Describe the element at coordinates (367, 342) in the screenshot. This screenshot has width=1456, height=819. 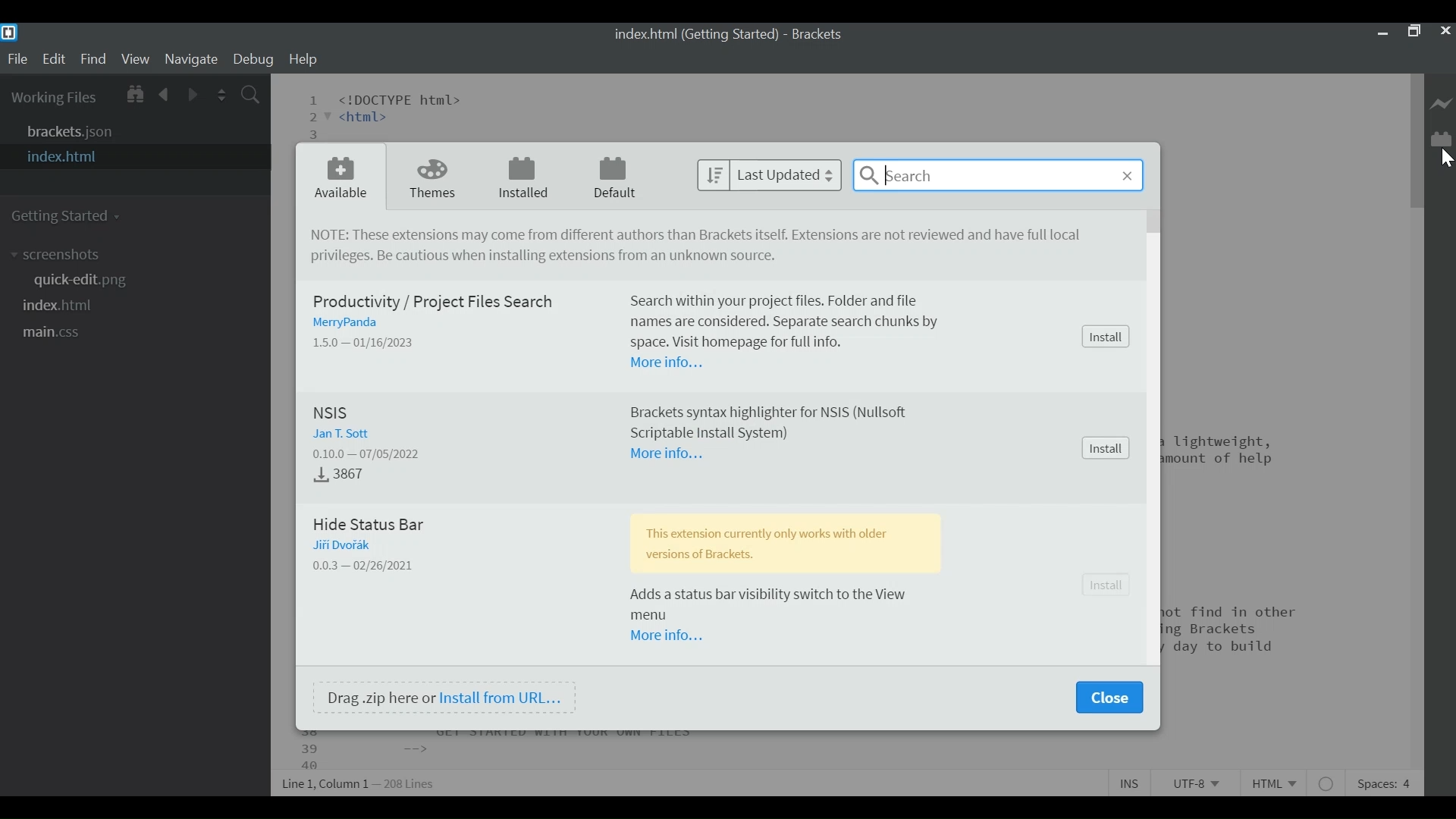
I see `Version - Released Date` at that location.